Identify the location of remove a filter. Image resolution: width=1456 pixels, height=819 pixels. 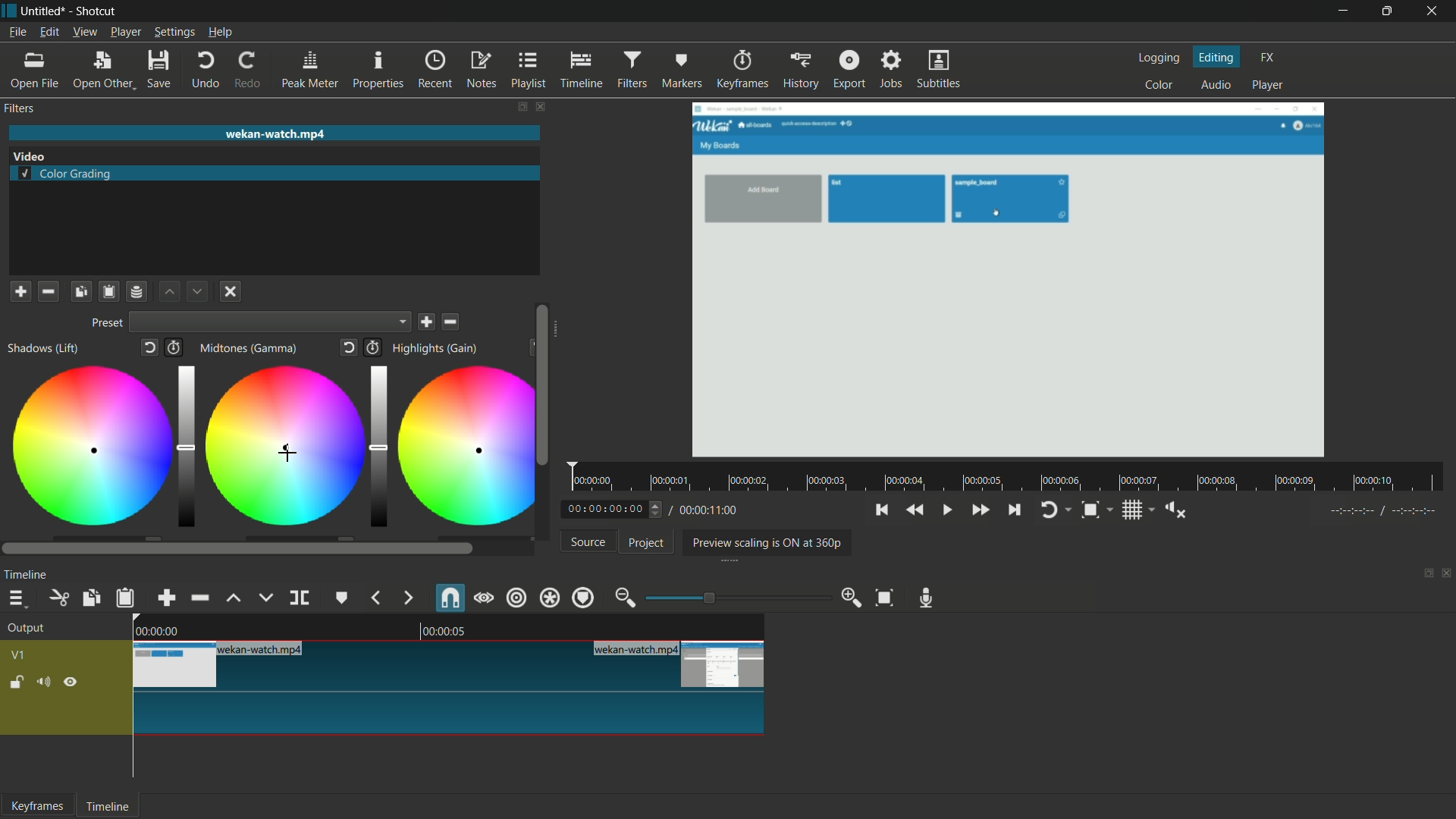
(49, 293).